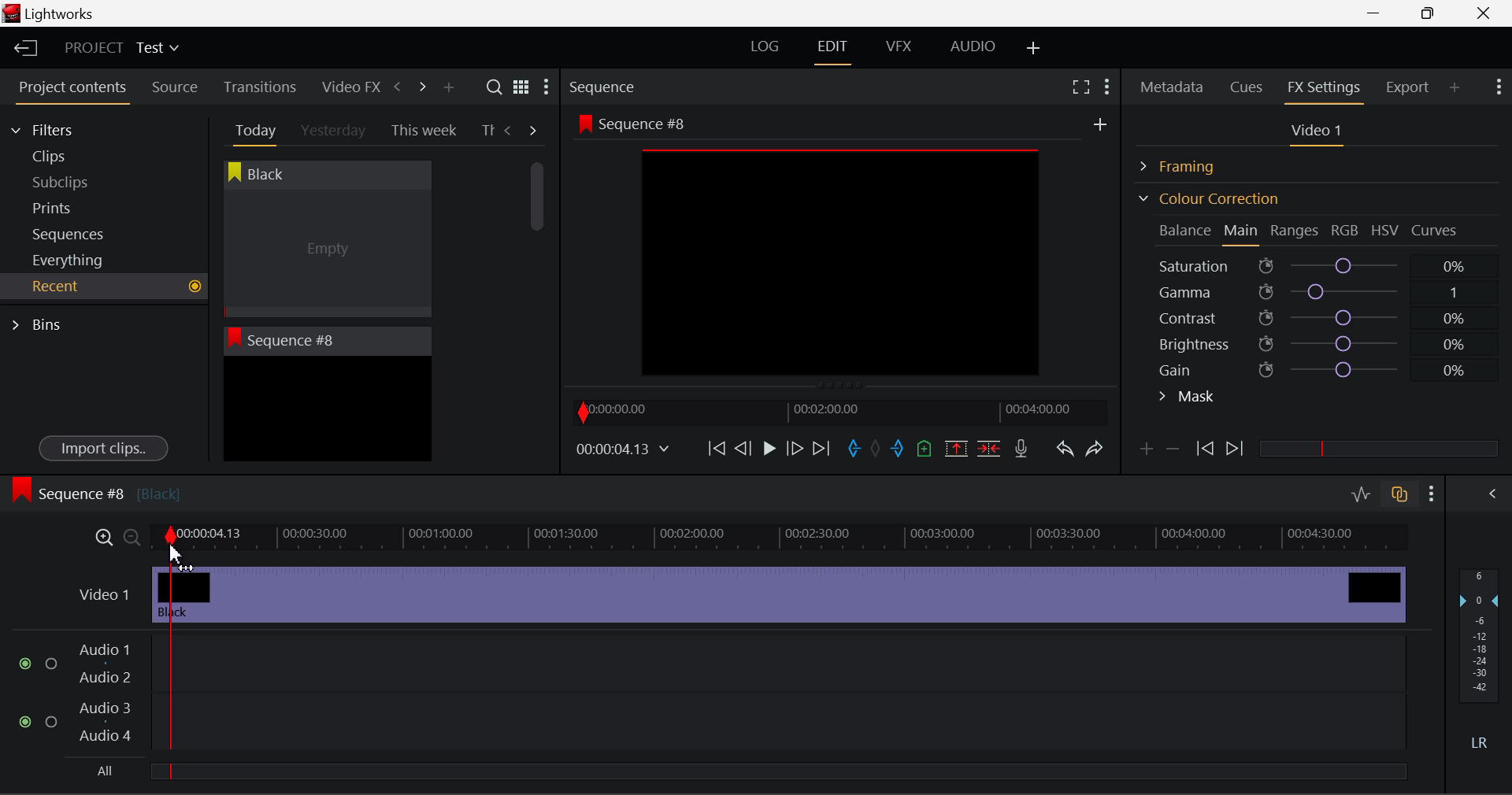 This screenshot has width=1512, height=795. Describe the element at coordinates (1187, 230) in the screenshot. I see `Balance Section` at that location.